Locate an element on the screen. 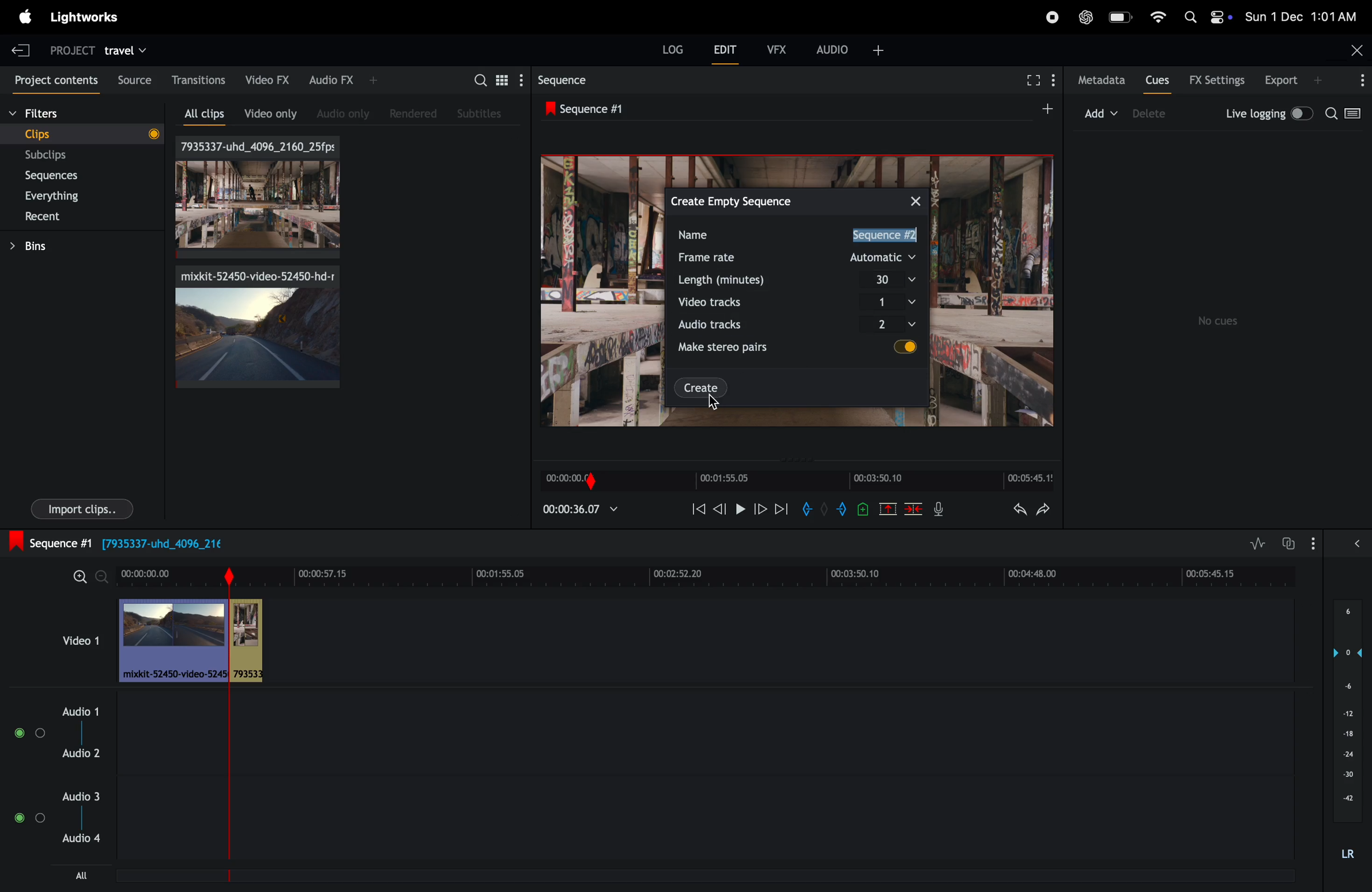 This screenshot has width=1372, height=892. apple widgets is located at coordinates (1203, 18).